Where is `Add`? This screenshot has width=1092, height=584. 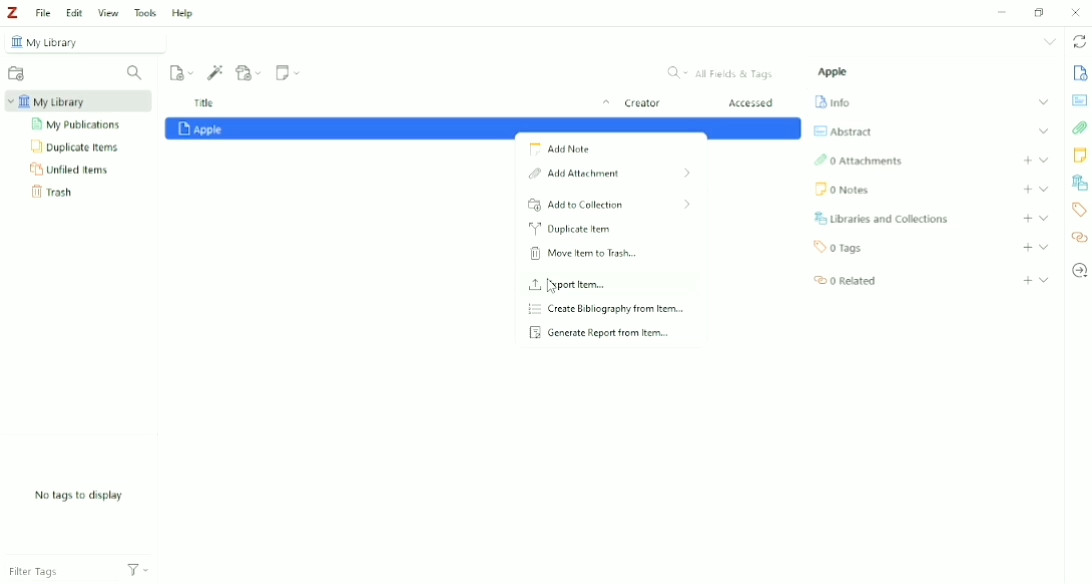 Add is located at coordinates (1027, 280).